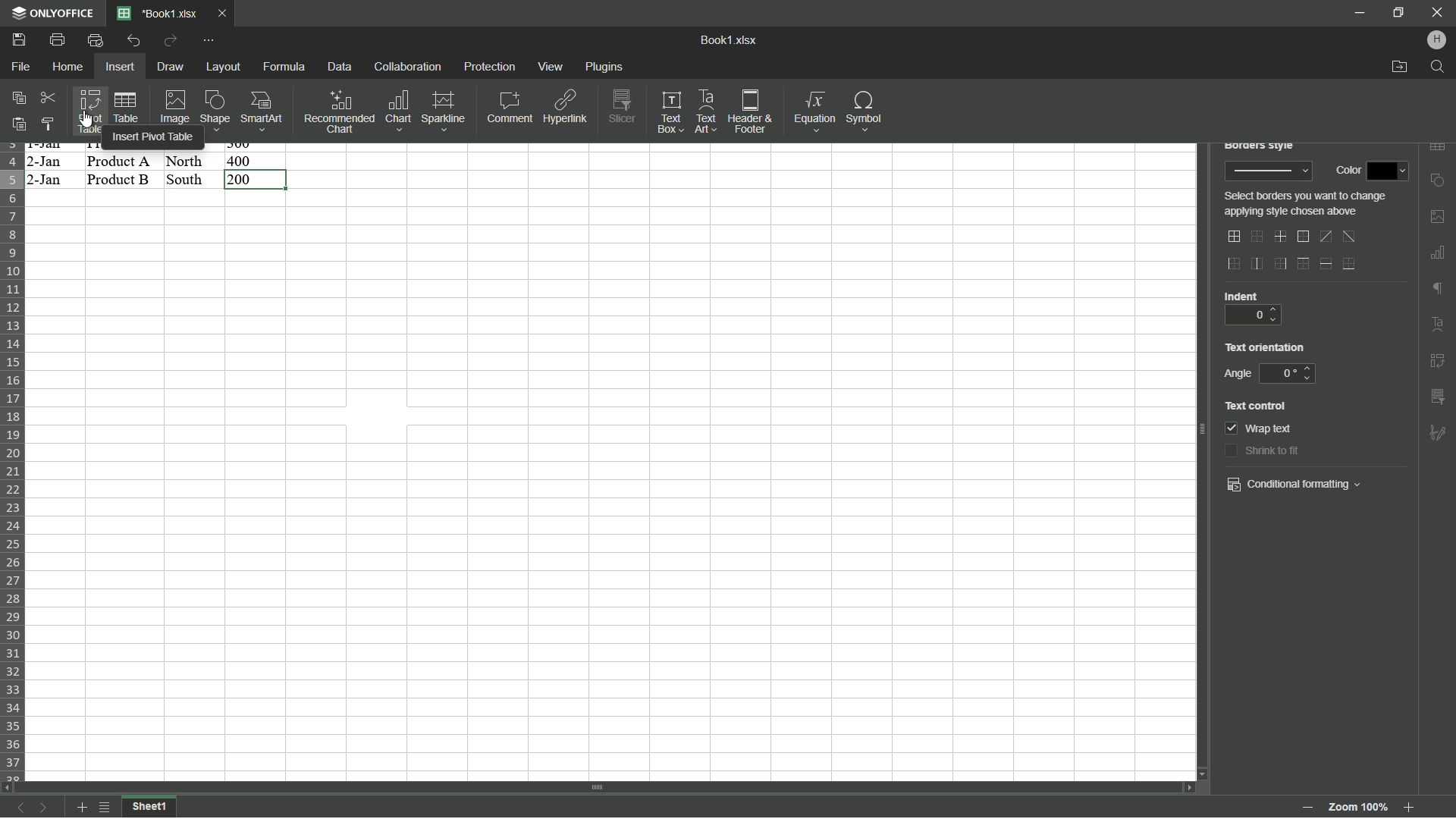 This screenshot has height=819, width=1456. What do you see at coordinates (1310, 367) in the screenshot?
I see `up` at bounding box center [1310, 367].